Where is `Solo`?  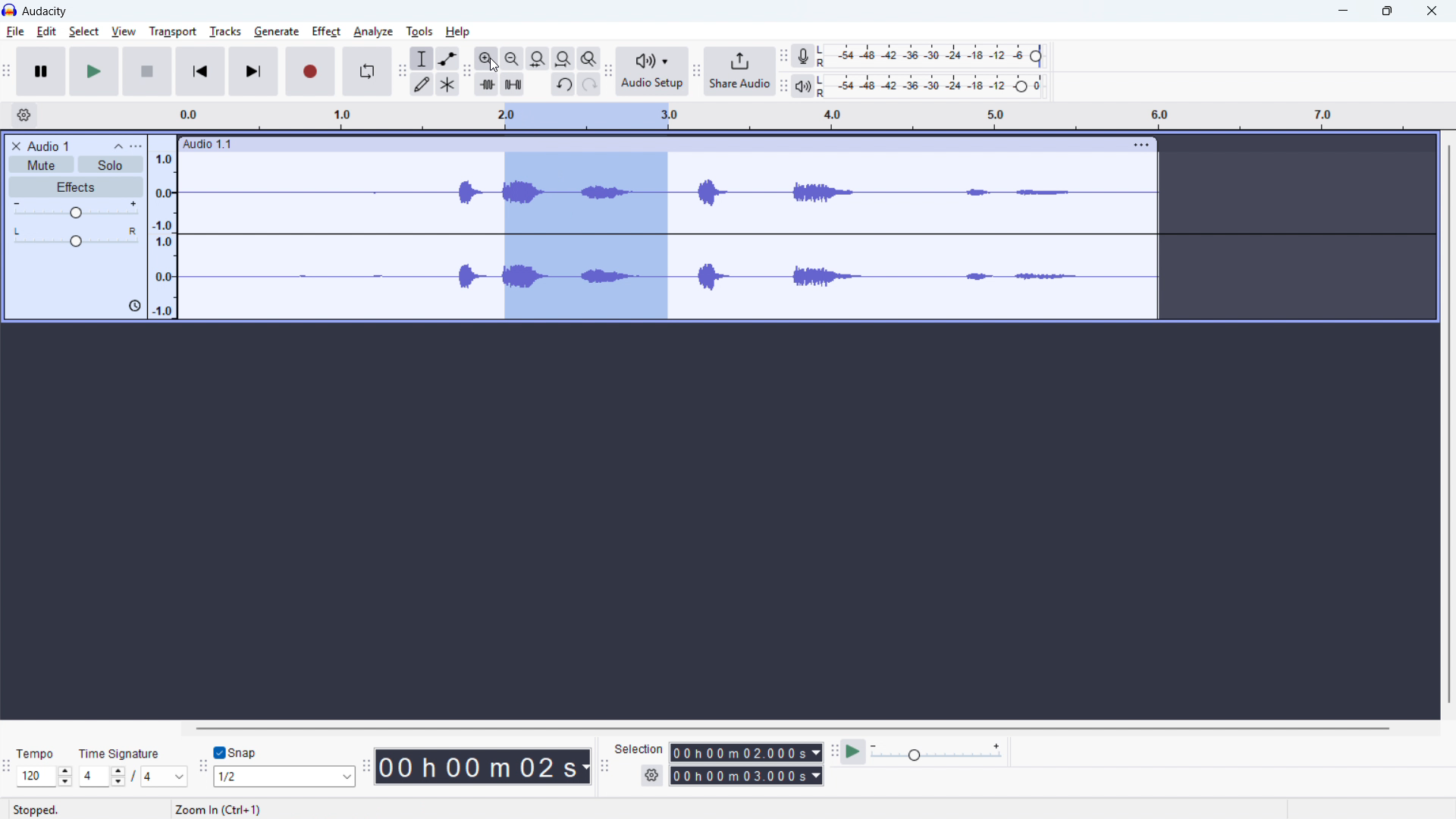 Solo is located at coordinates (111, 165).